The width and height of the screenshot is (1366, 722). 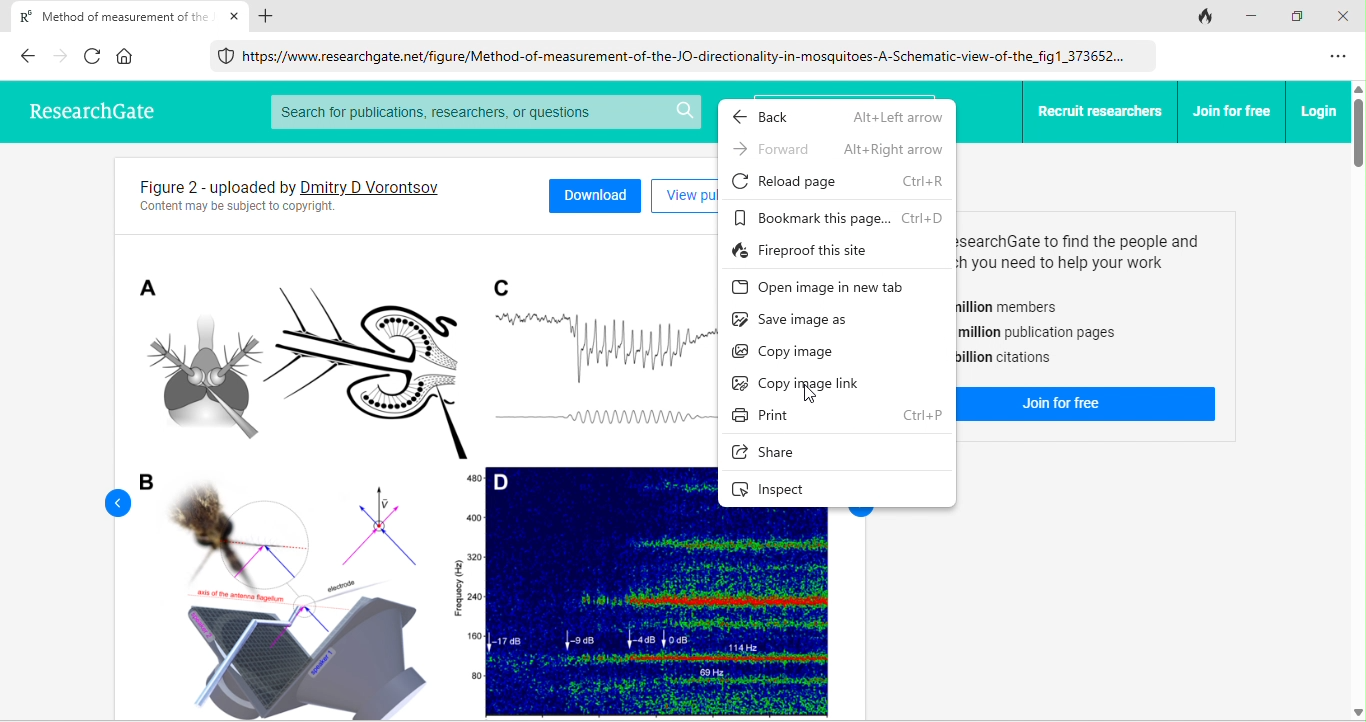 I want to click on bookmark this page, so click(x=839, y=216).